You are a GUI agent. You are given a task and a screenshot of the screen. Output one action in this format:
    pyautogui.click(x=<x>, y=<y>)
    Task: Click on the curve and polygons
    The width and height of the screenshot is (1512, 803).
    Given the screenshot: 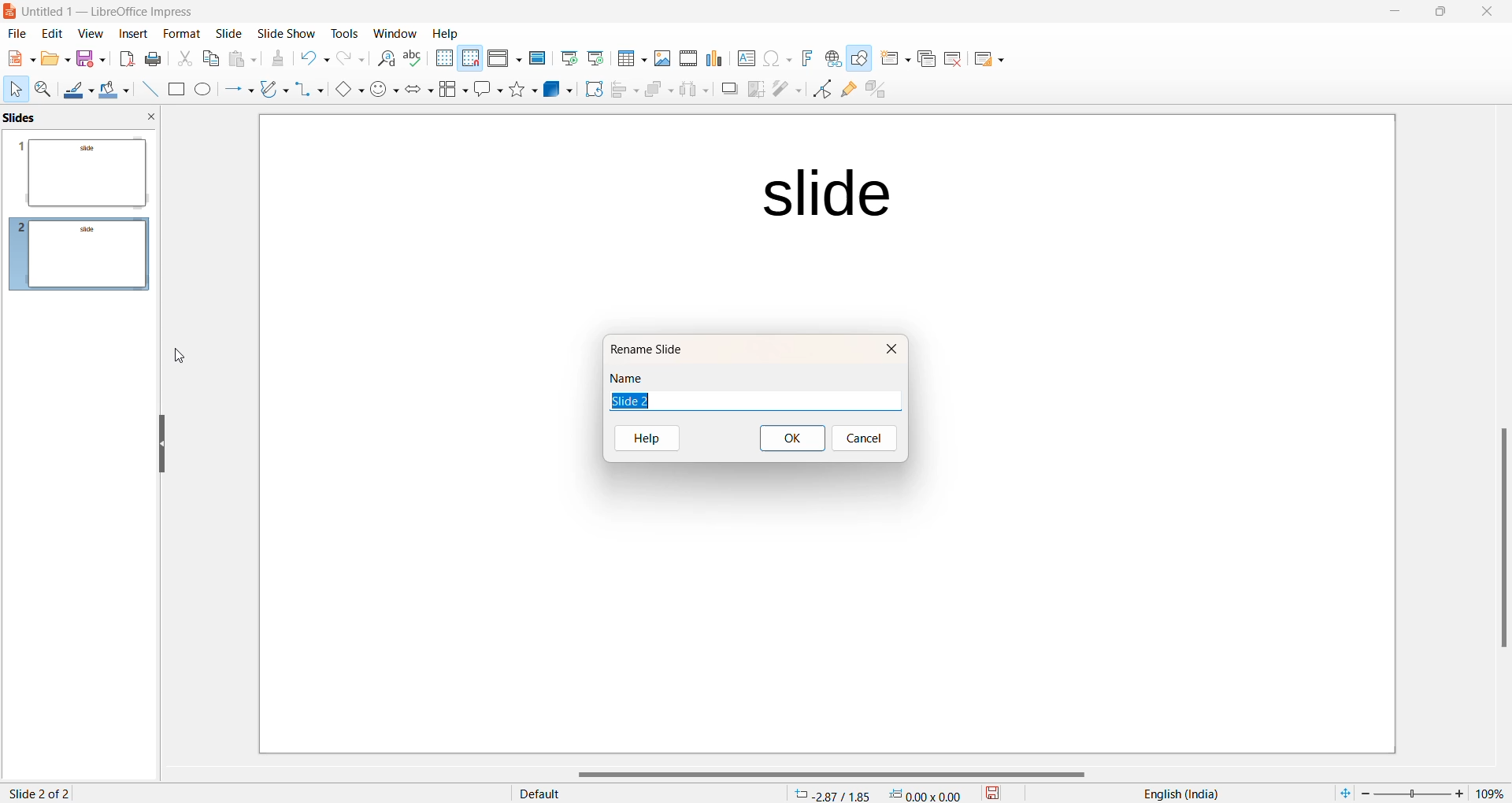 What is the action you would take?
    pyautogui.click(x=272, y=90)
    